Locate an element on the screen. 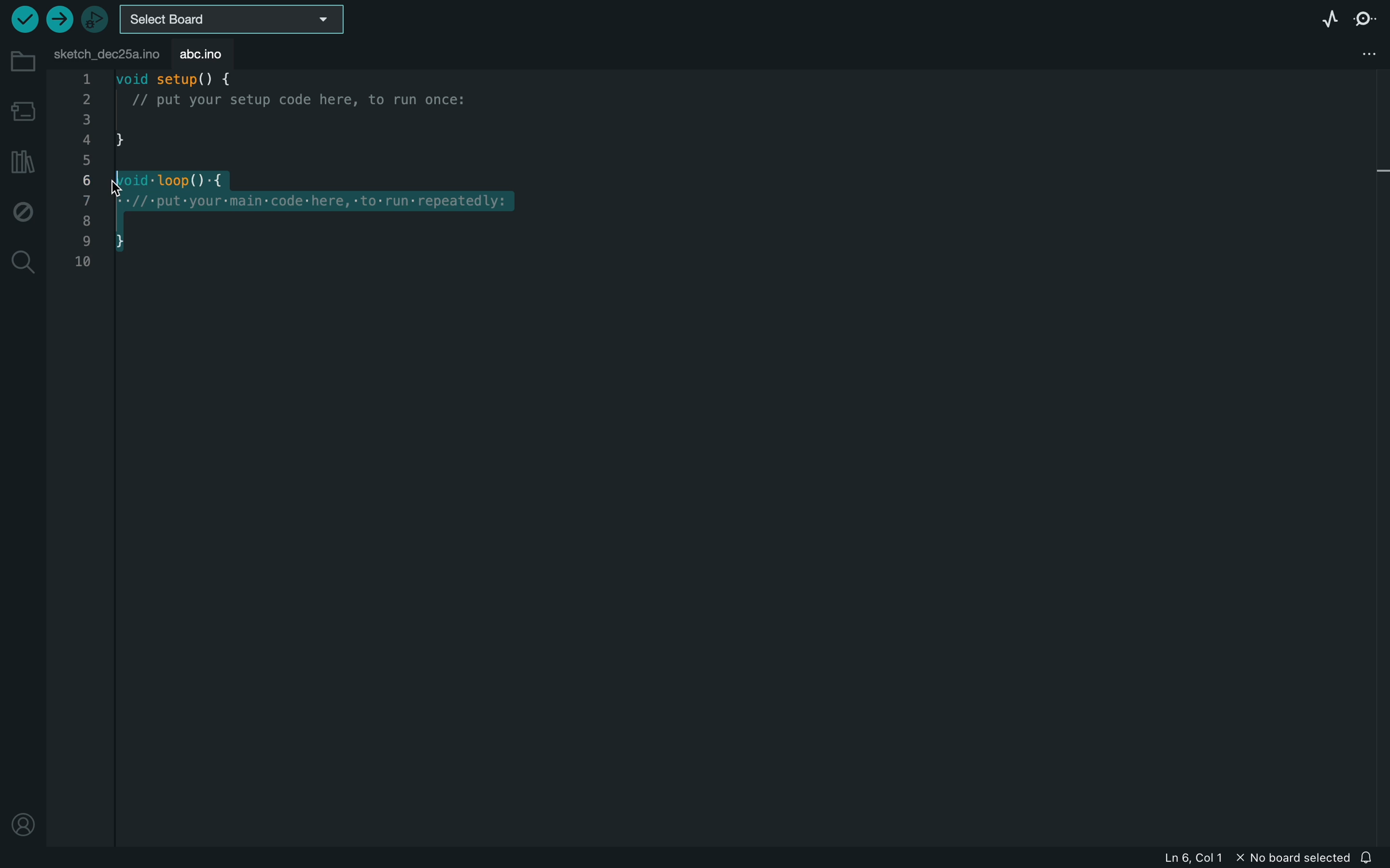 The height and width of the screenshot is (868, 1390). notification is located at coordinates (1369, 856).